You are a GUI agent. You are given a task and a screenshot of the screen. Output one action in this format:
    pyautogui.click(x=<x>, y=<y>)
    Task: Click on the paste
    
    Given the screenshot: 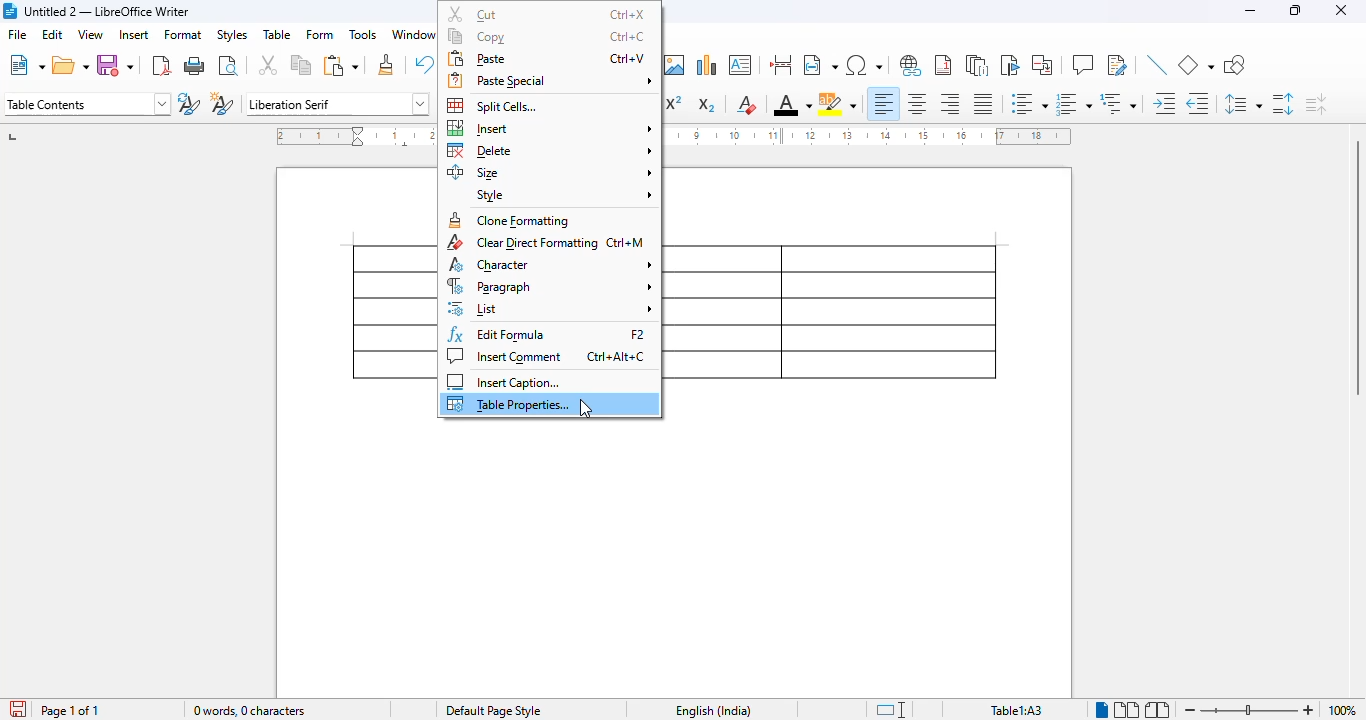 What is the action you would take?
    pyautogui.click(x=341, y=65)
    